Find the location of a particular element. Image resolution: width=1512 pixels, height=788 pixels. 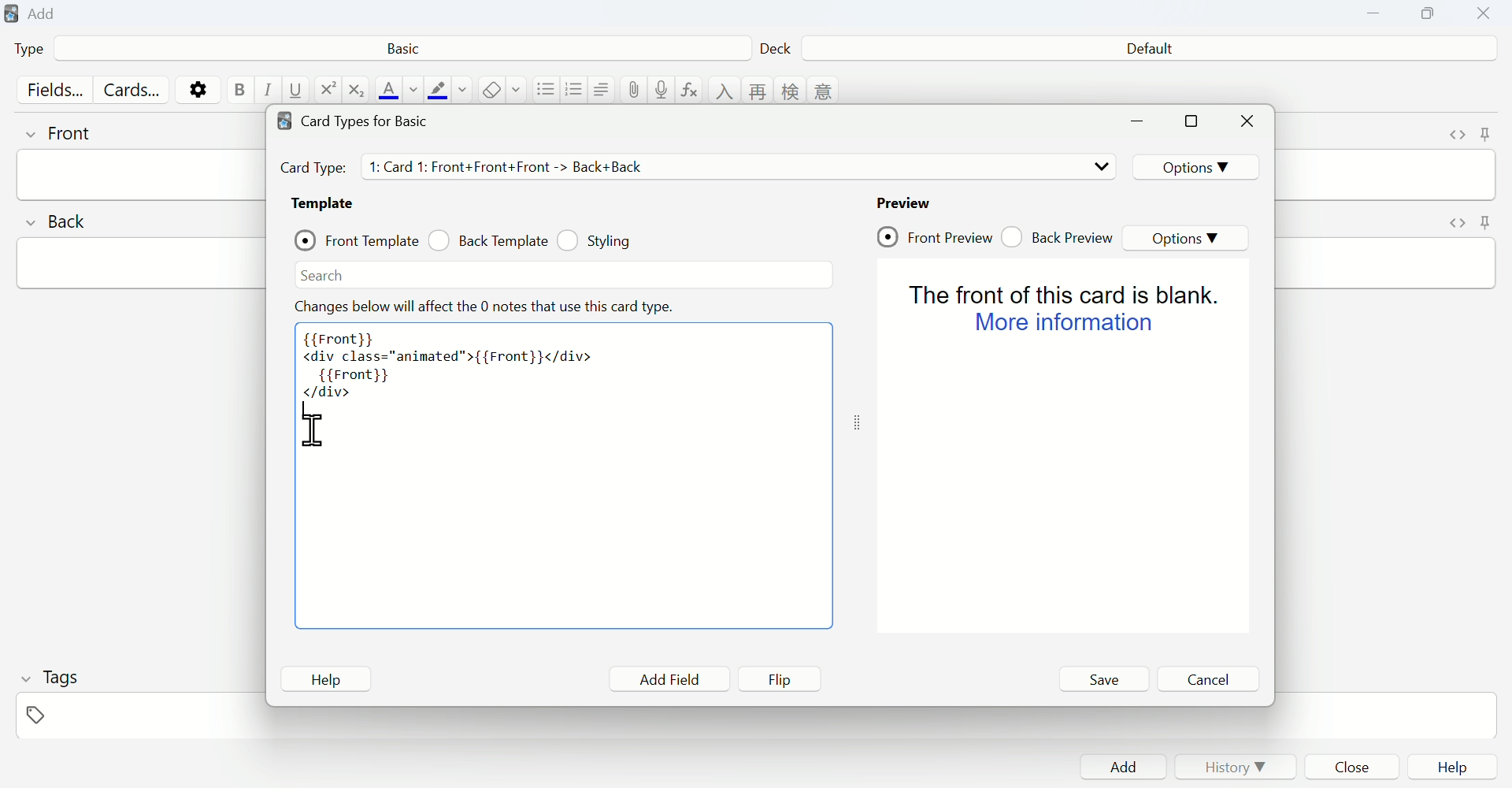

toggle sticky is located at coordinates (1485, 134).